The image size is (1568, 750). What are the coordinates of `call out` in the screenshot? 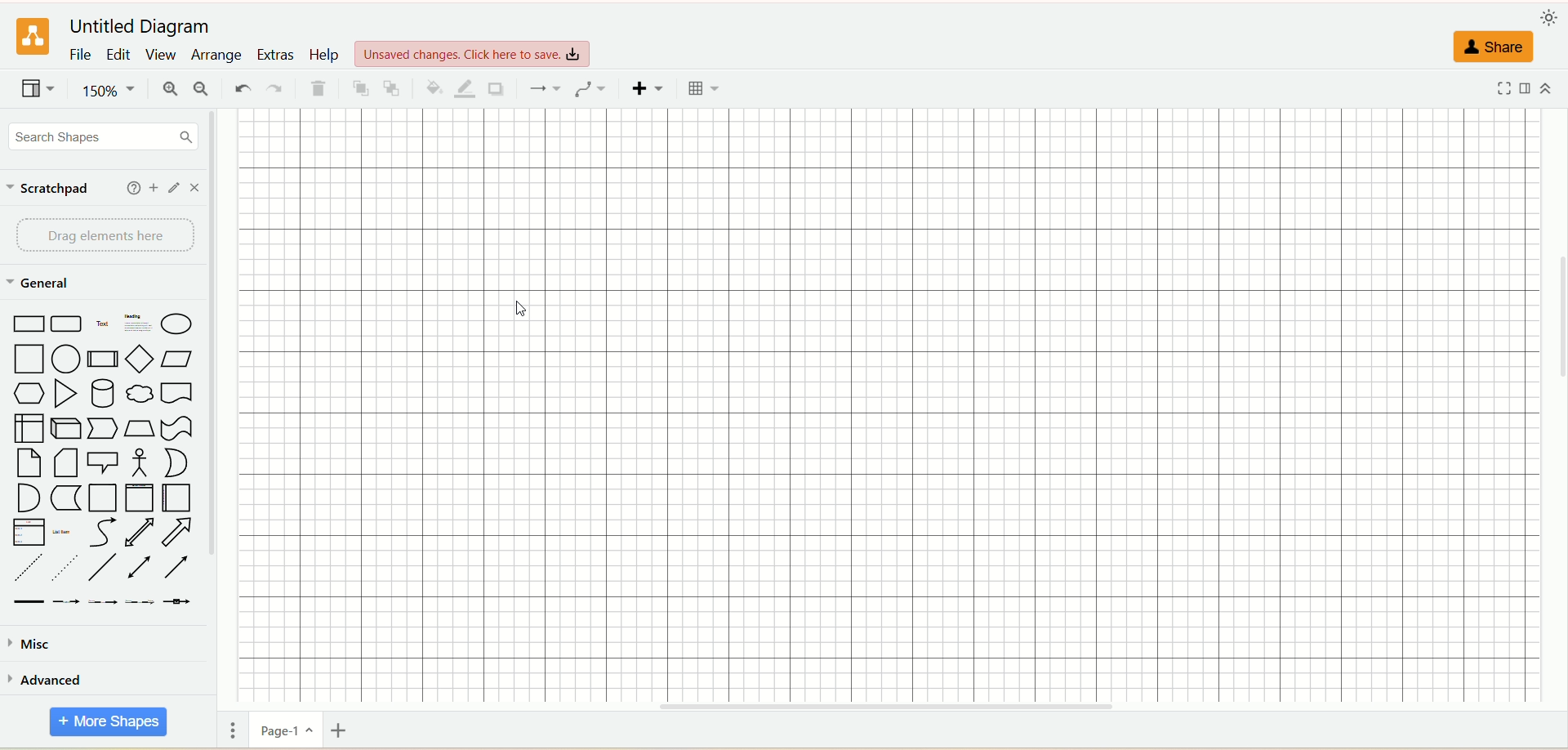 It's located at (102, 461).